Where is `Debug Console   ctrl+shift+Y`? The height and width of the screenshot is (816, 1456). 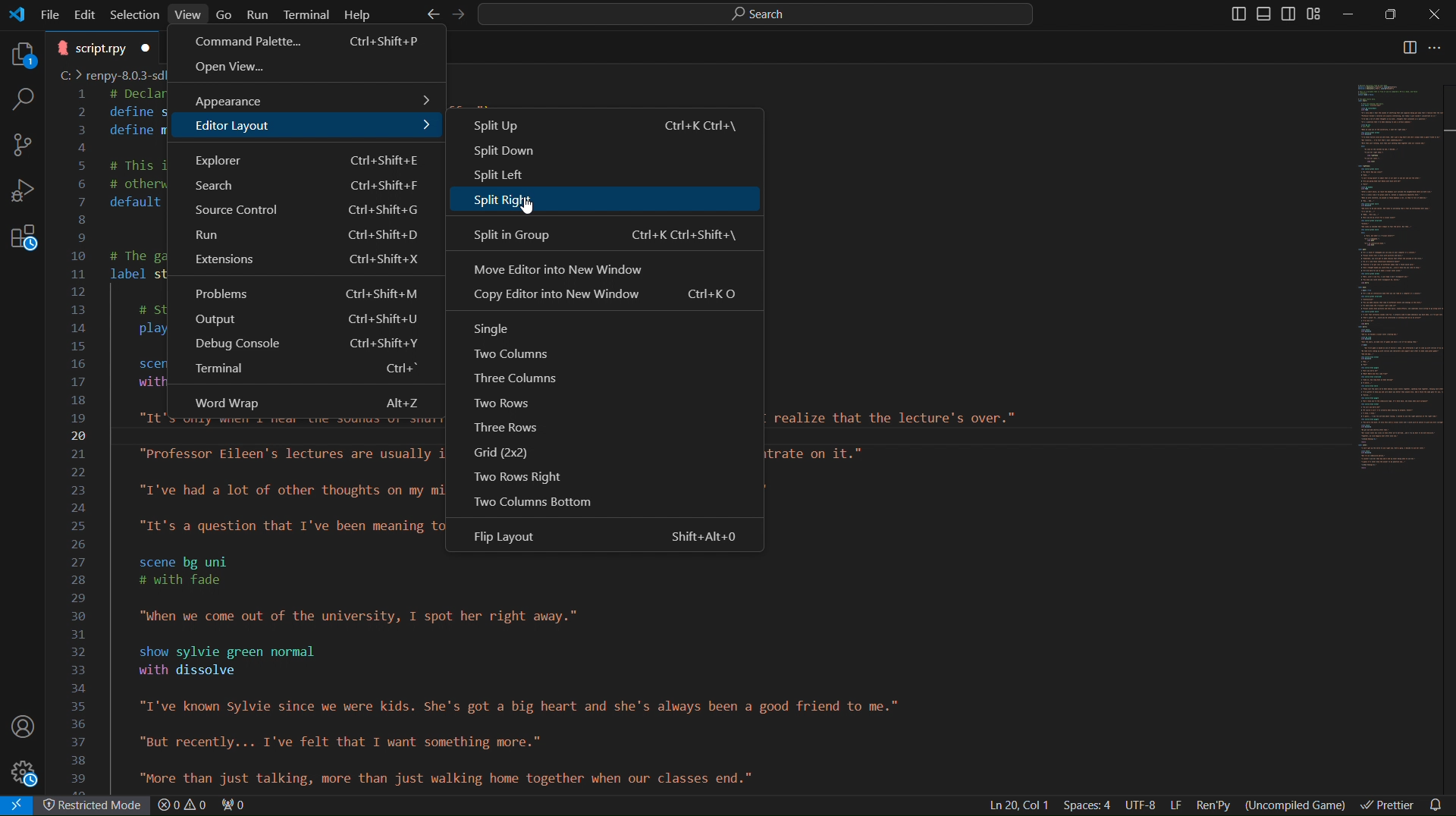 Debug Console   ctrl+shift+Y is located at coordinates (303, 347).